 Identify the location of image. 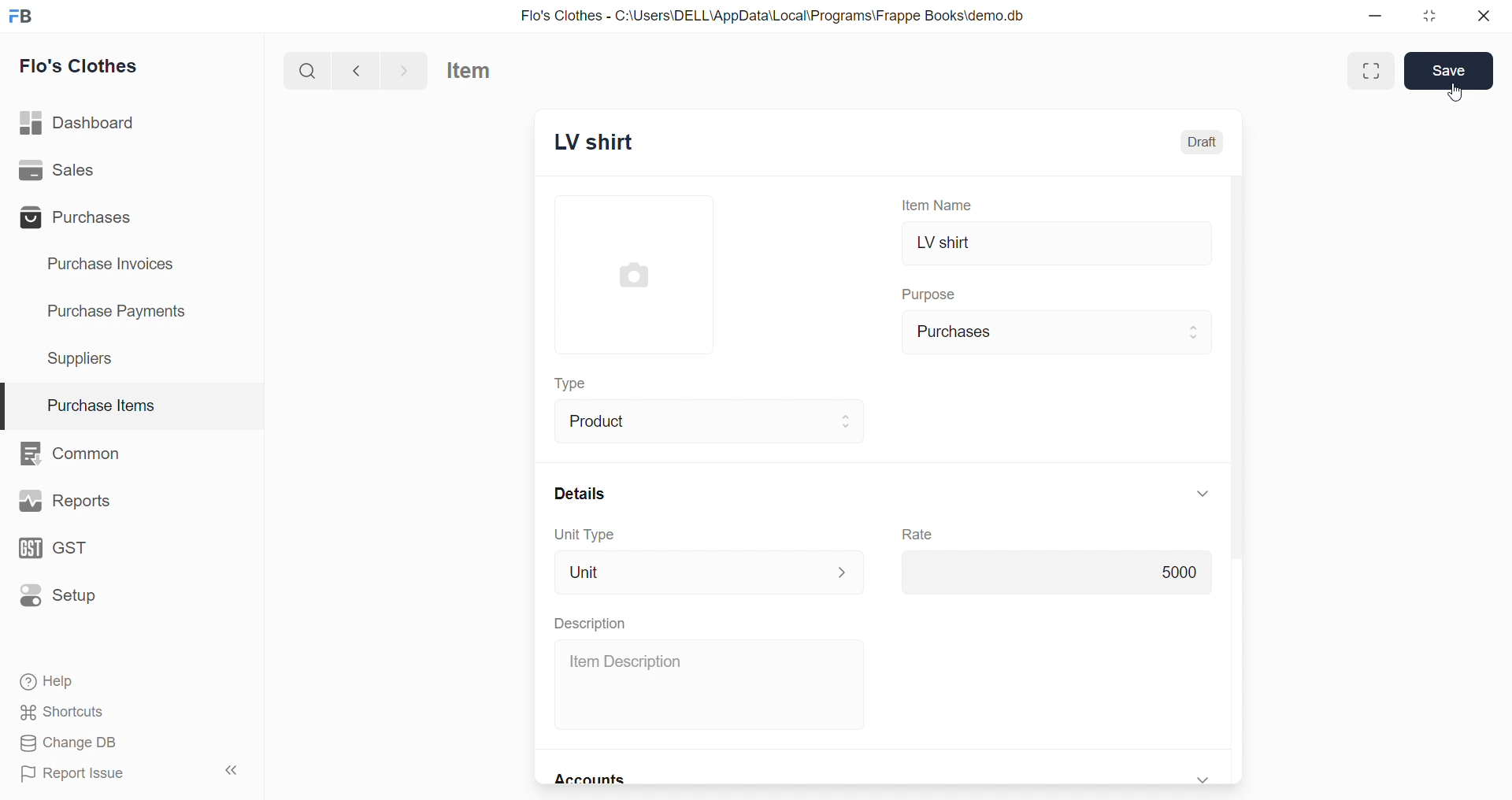
(637, 275).